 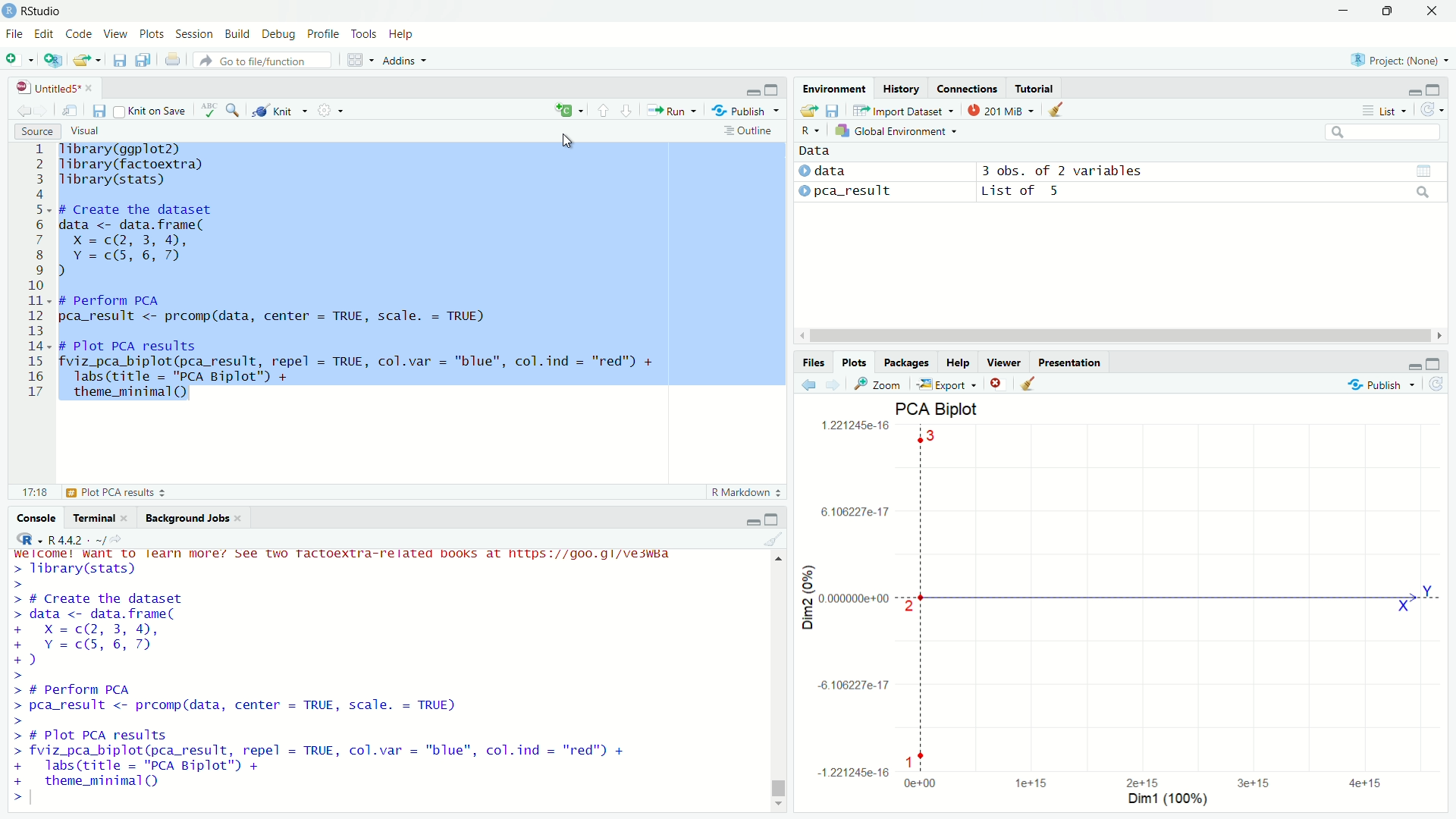 What do you see at coordinates (1119, 336) in the screenshot?
I see `horizontal scrollbar` at bounding box center [1119, 336].